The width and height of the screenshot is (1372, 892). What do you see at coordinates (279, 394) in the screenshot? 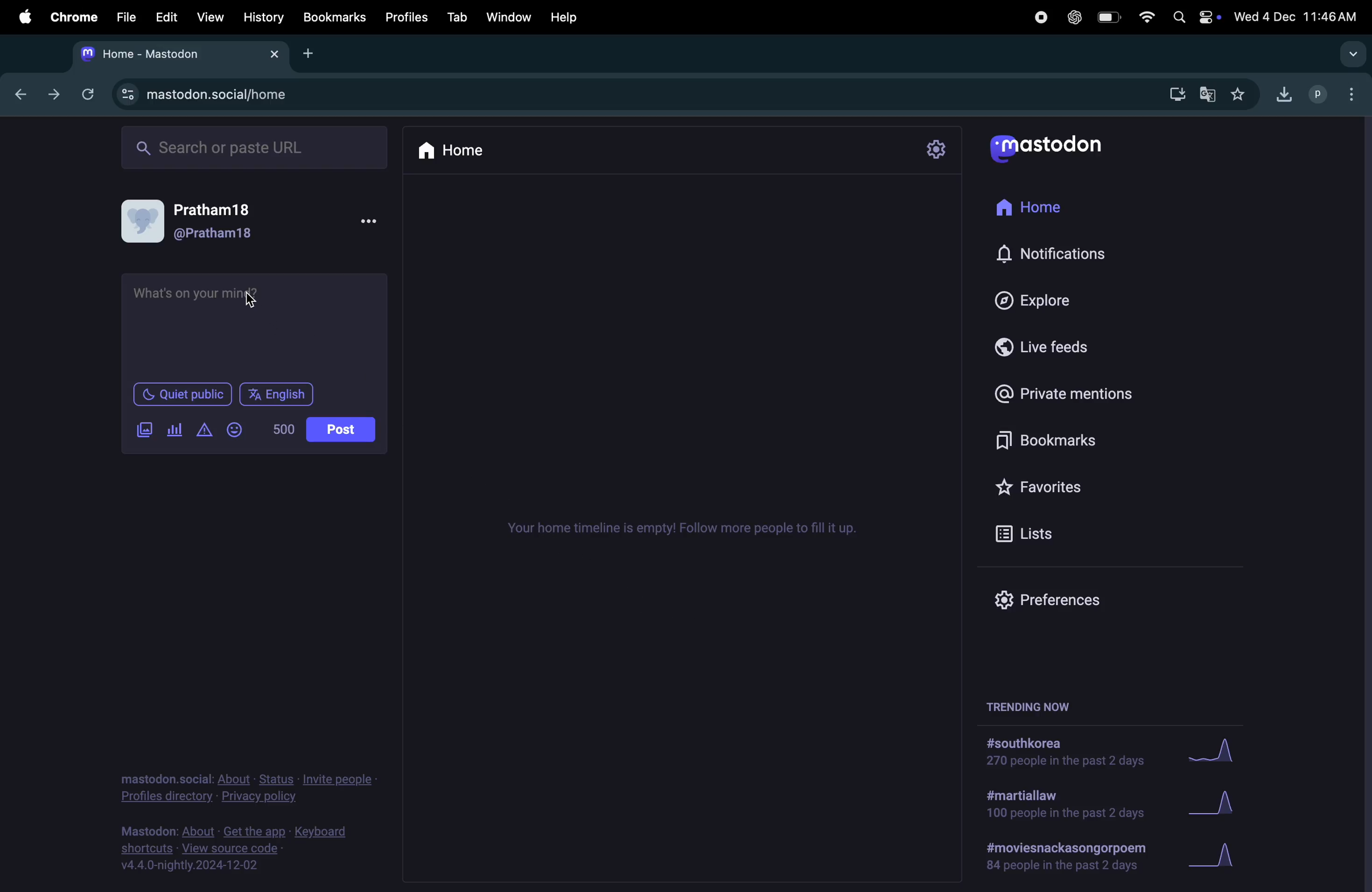
I see `English` at bounding box center [279, 394].